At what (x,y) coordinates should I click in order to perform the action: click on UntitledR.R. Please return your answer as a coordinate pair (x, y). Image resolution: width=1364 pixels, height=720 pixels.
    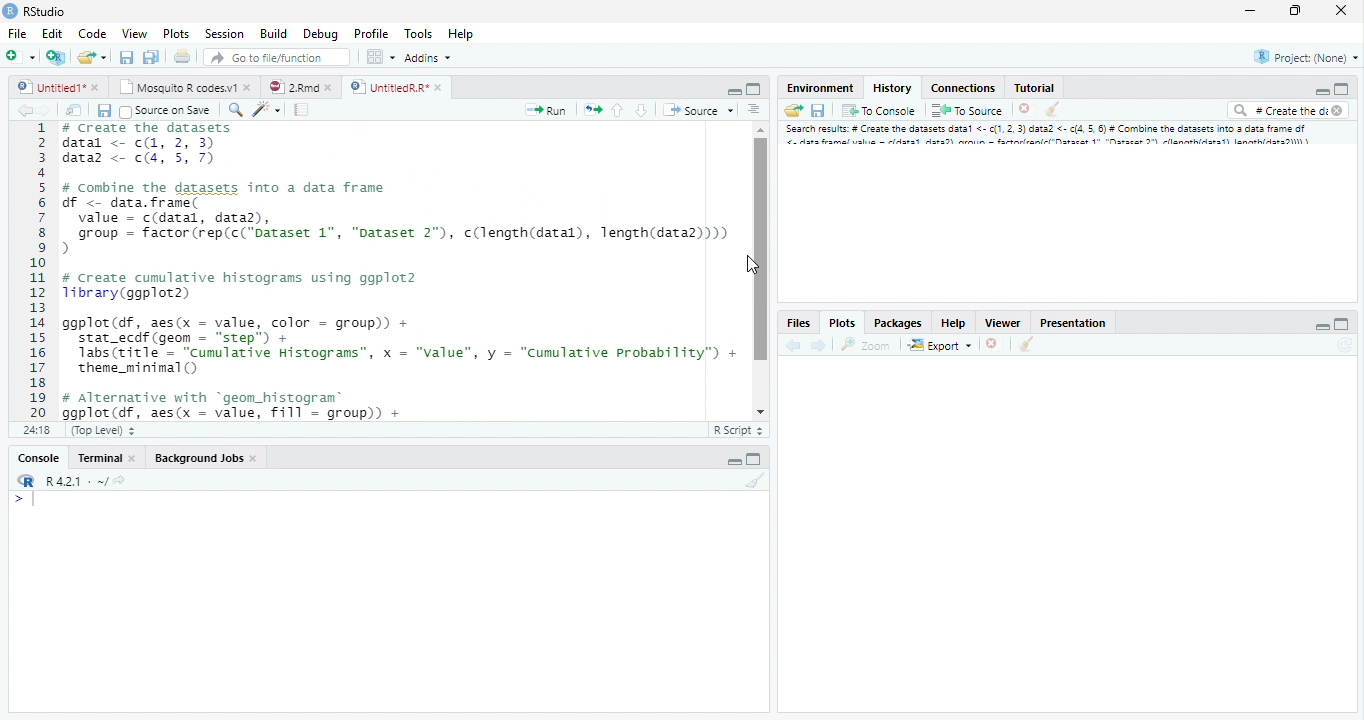
    Looking at the image, I should click on (396, 86).